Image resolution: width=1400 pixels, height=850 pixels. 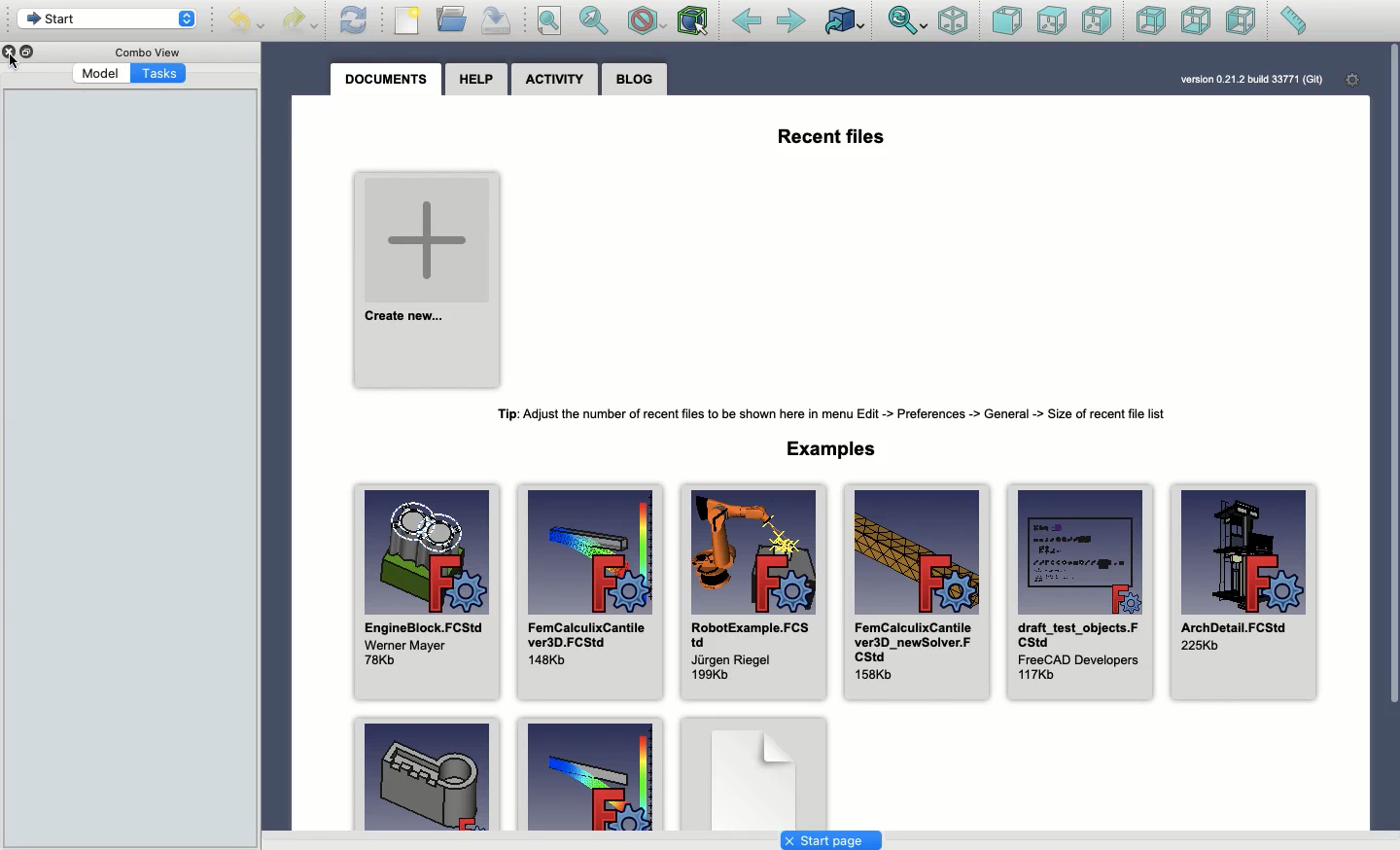 I want to click on Isometric, so click(x=954, y=20).